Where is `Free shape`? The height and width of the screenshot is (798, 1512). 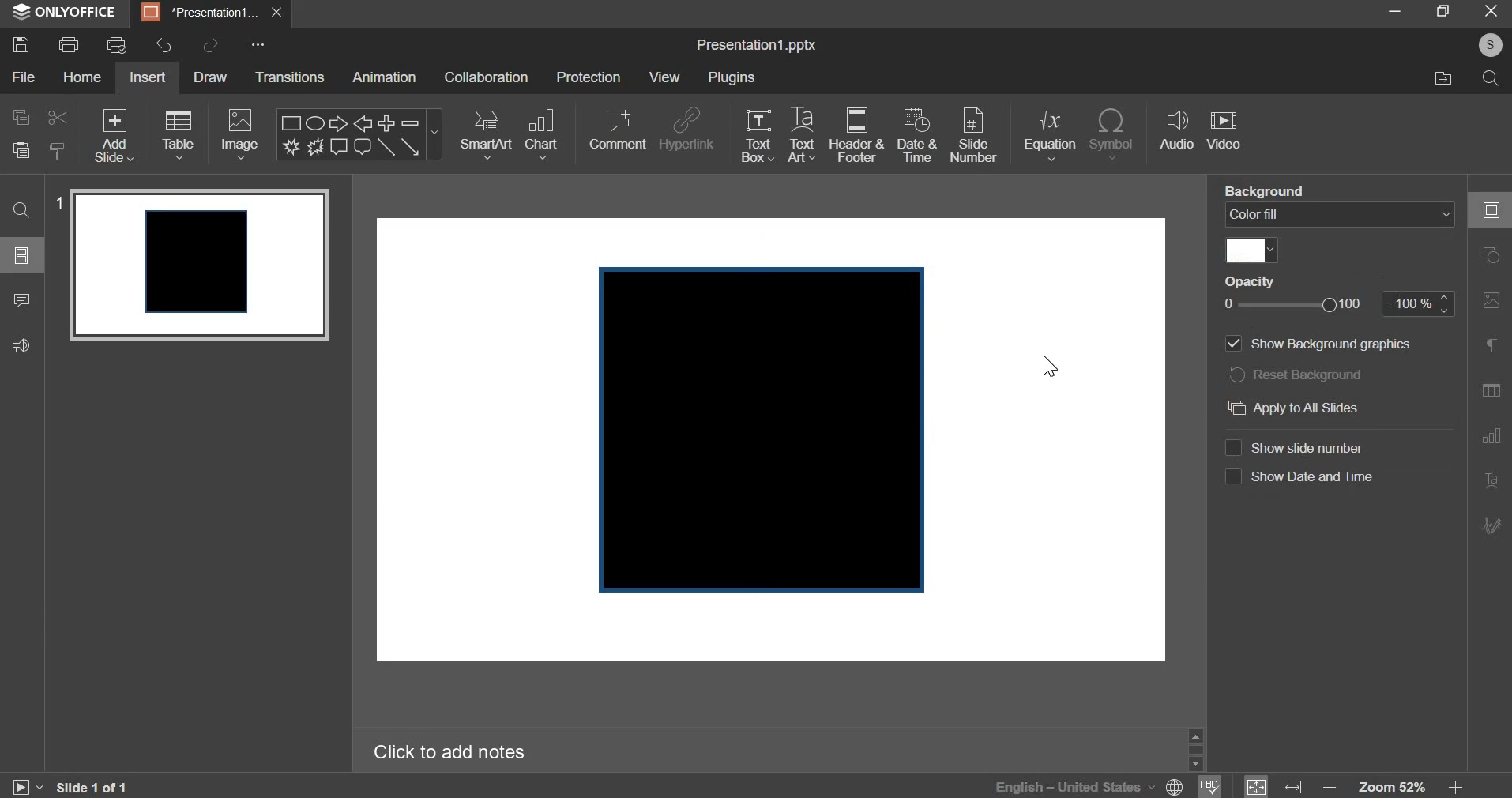 Free shape is located at coordinates (292, 146).